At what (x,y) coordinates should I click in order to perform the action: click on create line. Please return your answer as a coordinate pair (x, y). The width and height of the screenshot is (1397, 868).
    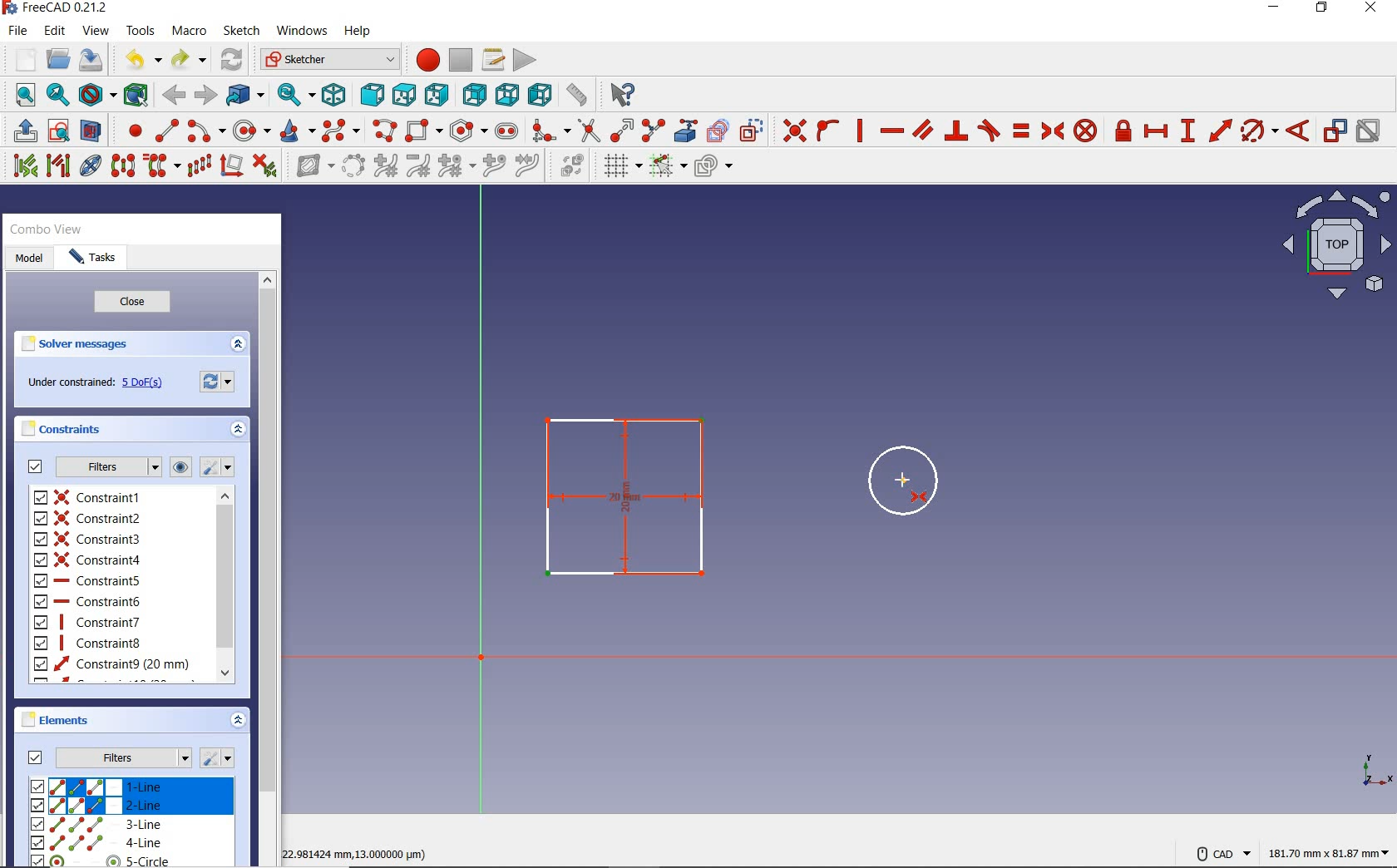
    Looking at the image, I should click on (166, 130).